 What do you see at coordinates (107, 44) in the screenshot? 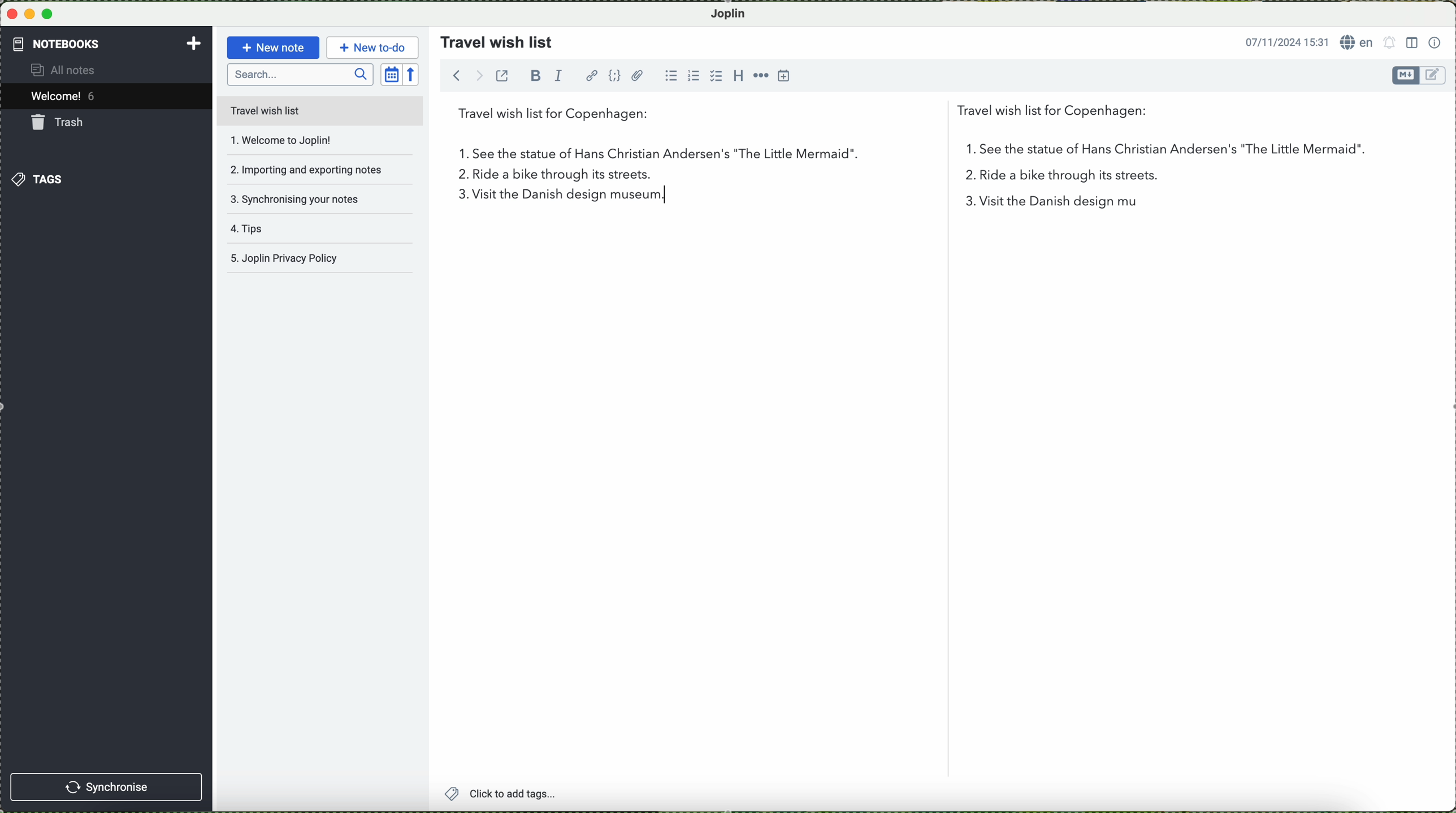
I see `notebooks tab` at bounding box center [107, 44].